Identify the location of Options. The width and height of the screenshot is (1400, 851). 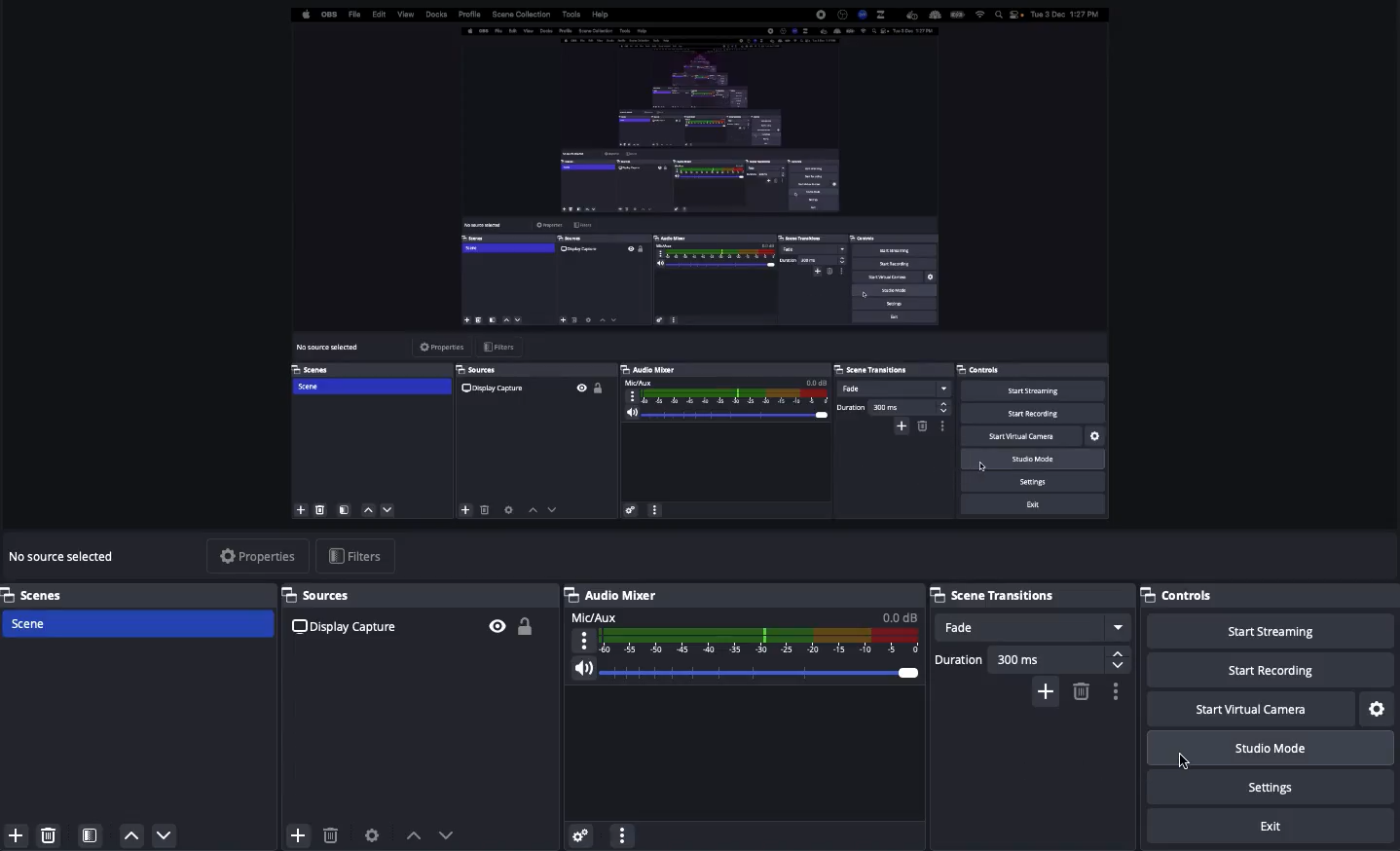
(1113, 692).